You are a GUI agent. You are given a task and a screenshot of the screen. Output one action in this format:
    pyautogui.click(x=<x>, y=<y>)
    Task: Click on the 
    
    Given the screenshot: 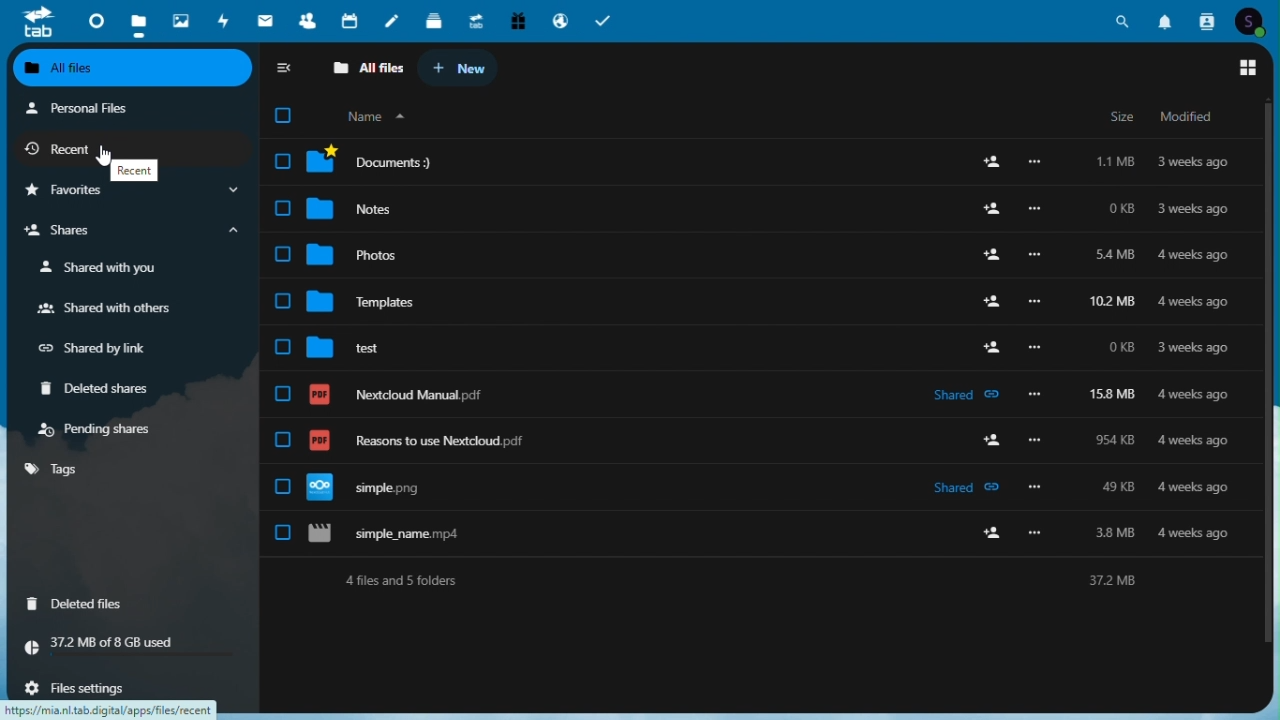 What is the action you would take?
    pyautogui.click(x=462, y=67)
    